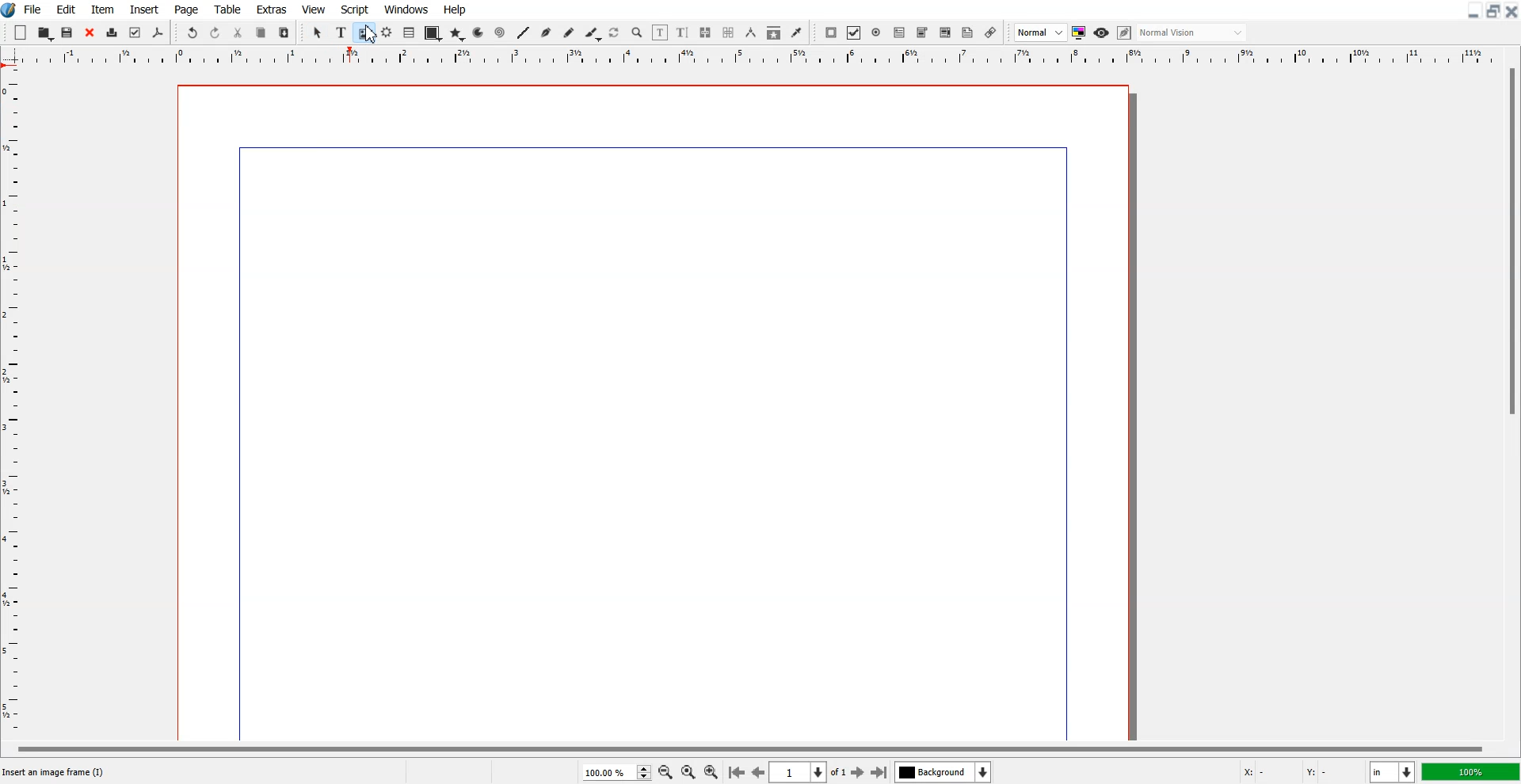  What do you see at coordinates (66, 9) in the screenshot?
I see `Edit` at bounding box center [66, 9].